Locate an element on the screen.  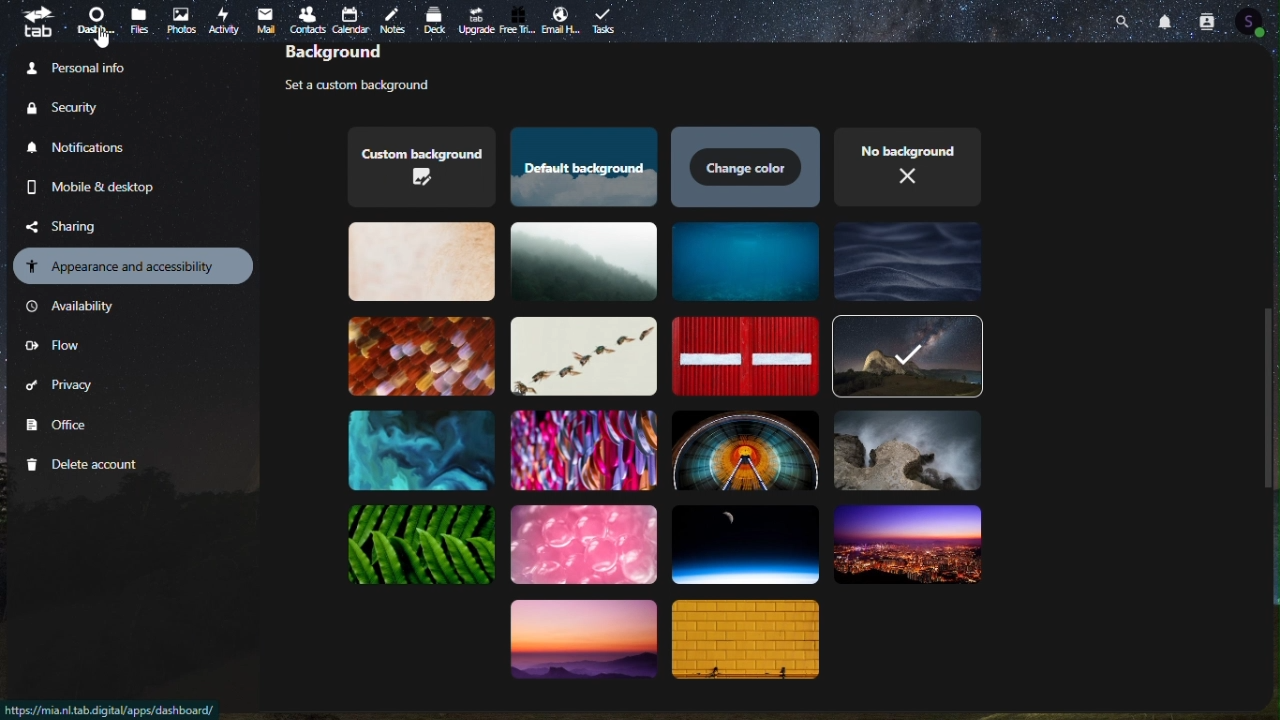
Themes is located at coordinates (741, 356).